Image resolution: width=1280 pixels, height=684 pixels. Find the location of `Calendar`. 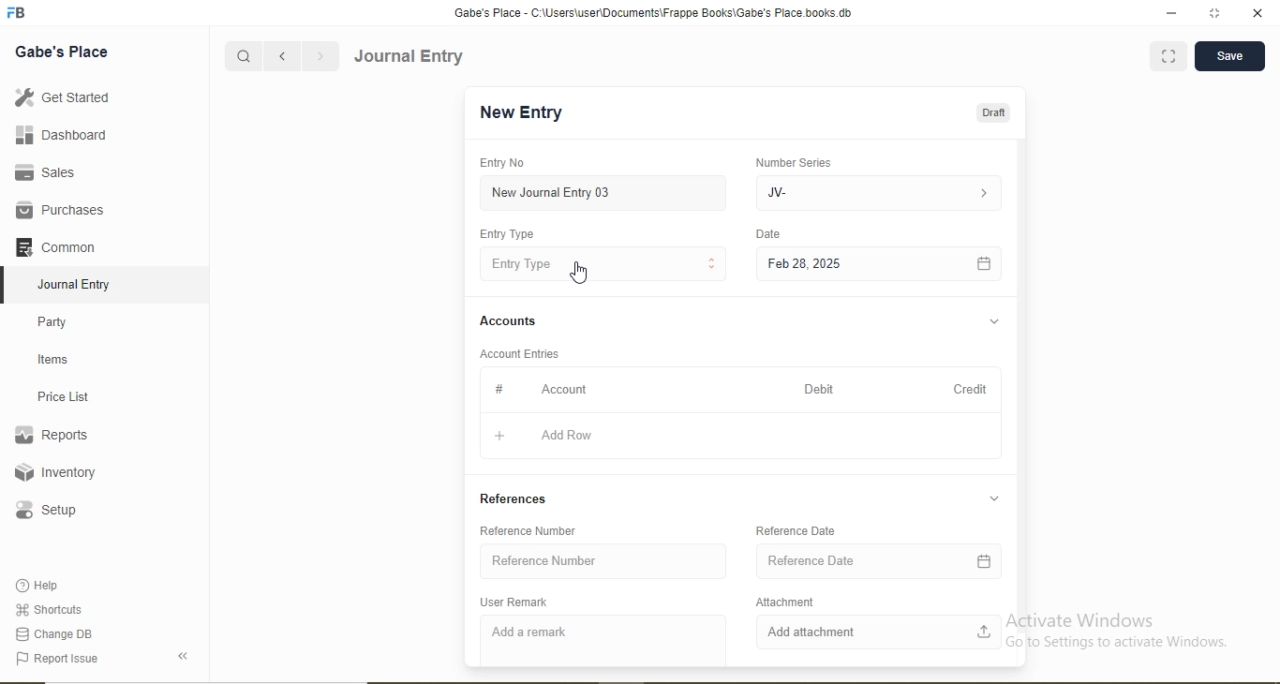

Calendar is located at coordinates (983, 562).